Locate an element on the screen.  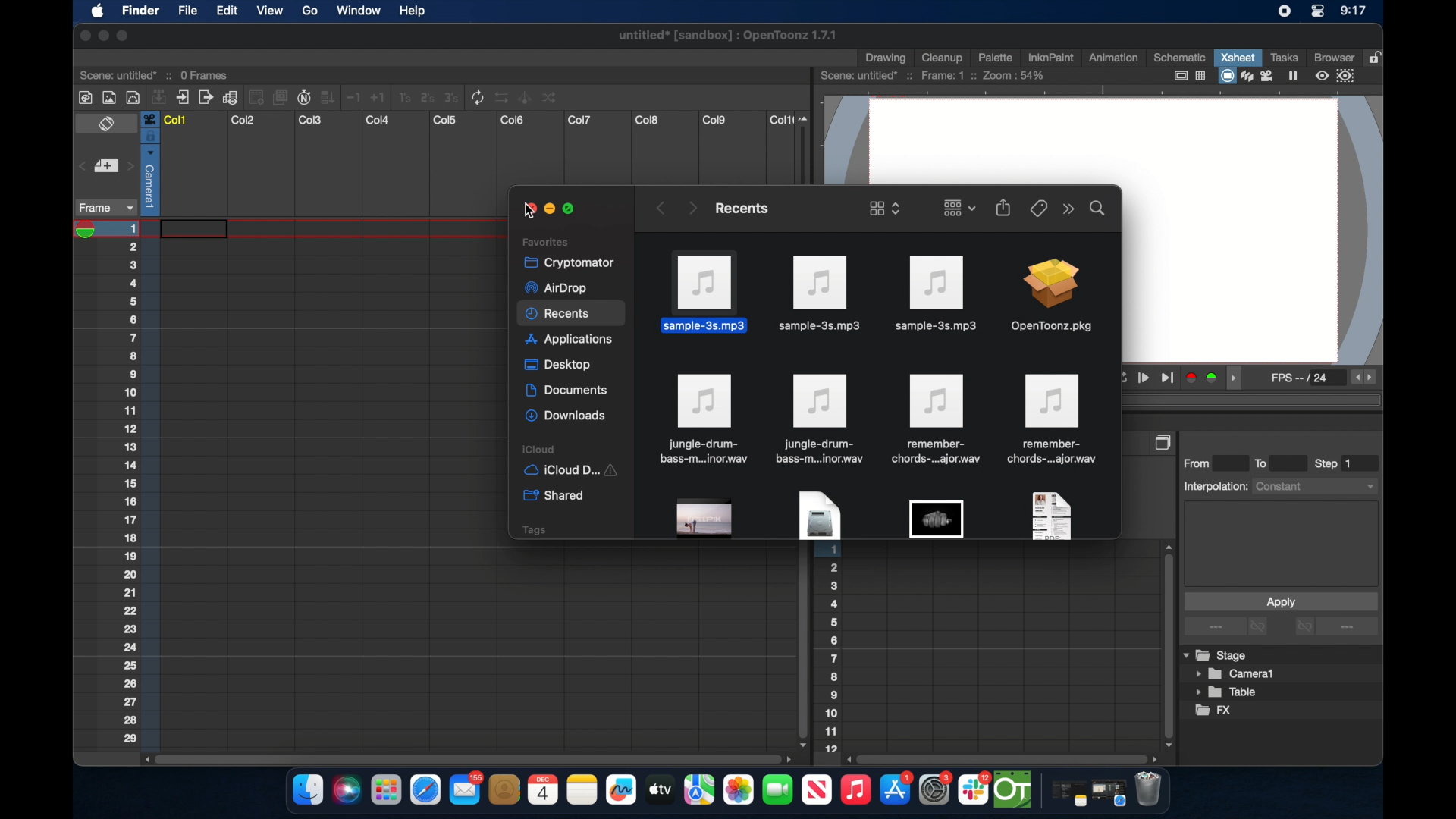
more  options is located at coordinates (1228, 627).